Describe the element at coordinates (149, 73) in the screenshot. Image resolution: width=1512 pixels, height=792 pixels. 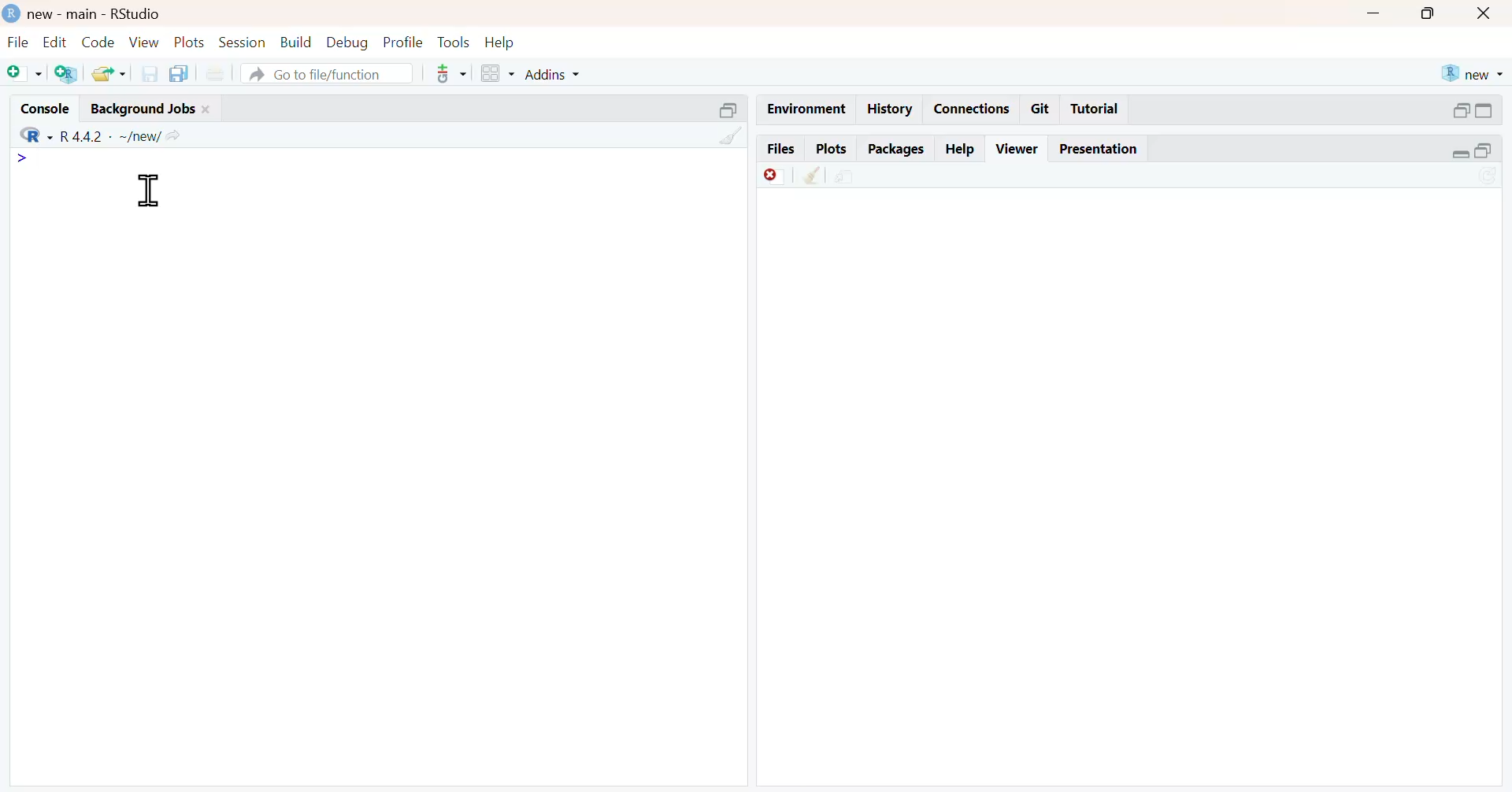
I see `save current document` at that location.